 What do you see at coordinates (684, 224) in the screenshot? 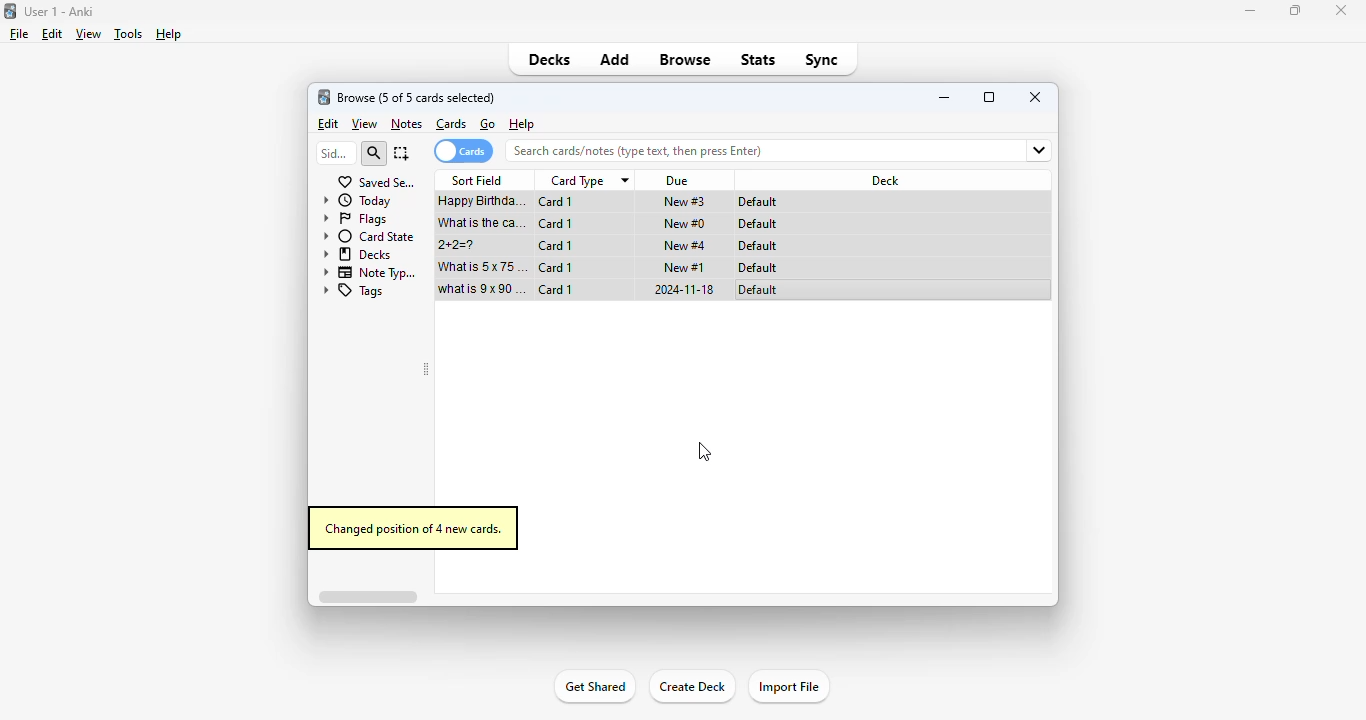
I see `new #0` at bounding box center [684, 224].